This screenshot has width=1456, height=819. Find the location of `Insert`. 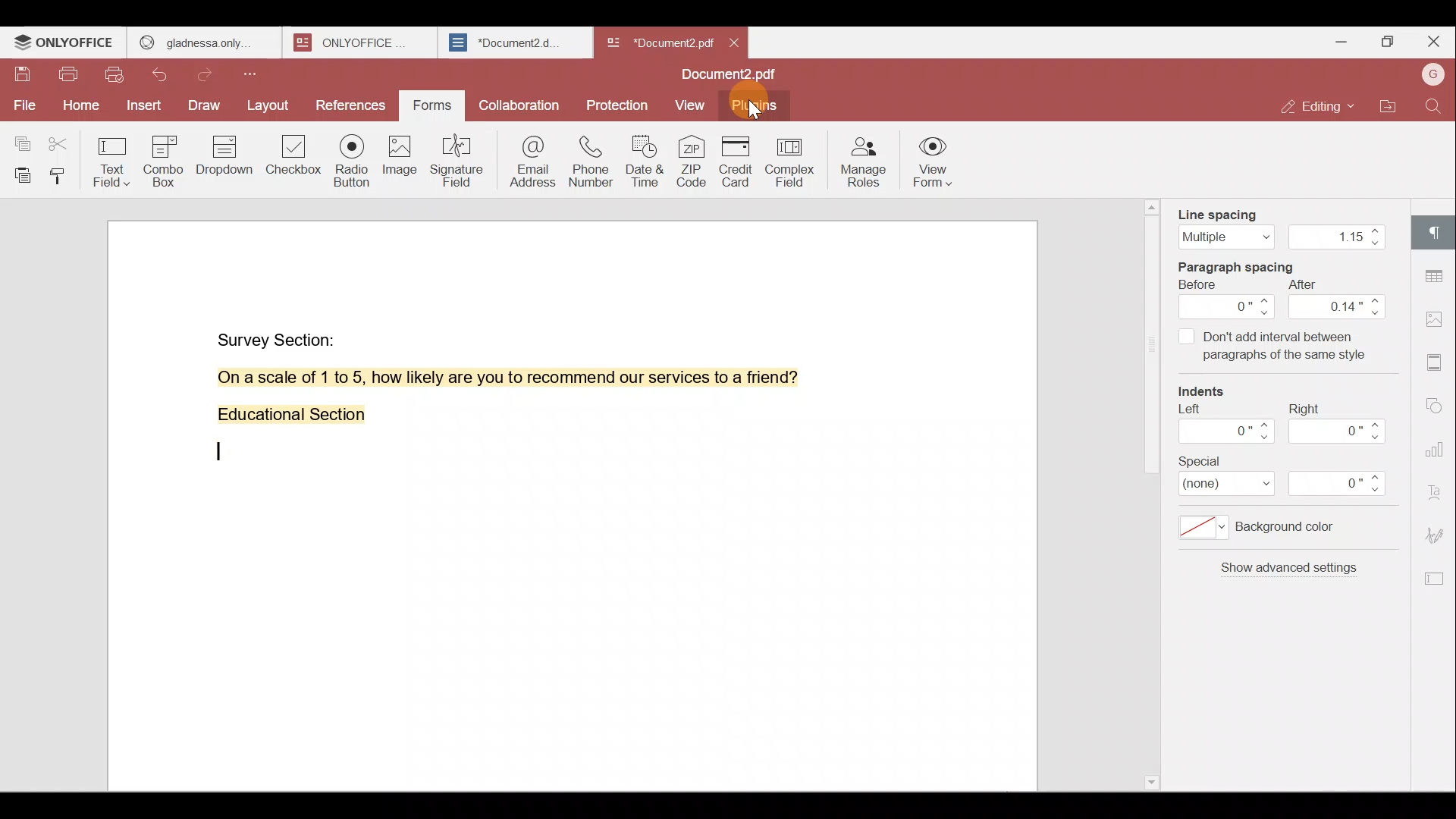

Insert is located at coordinates (144, 107).